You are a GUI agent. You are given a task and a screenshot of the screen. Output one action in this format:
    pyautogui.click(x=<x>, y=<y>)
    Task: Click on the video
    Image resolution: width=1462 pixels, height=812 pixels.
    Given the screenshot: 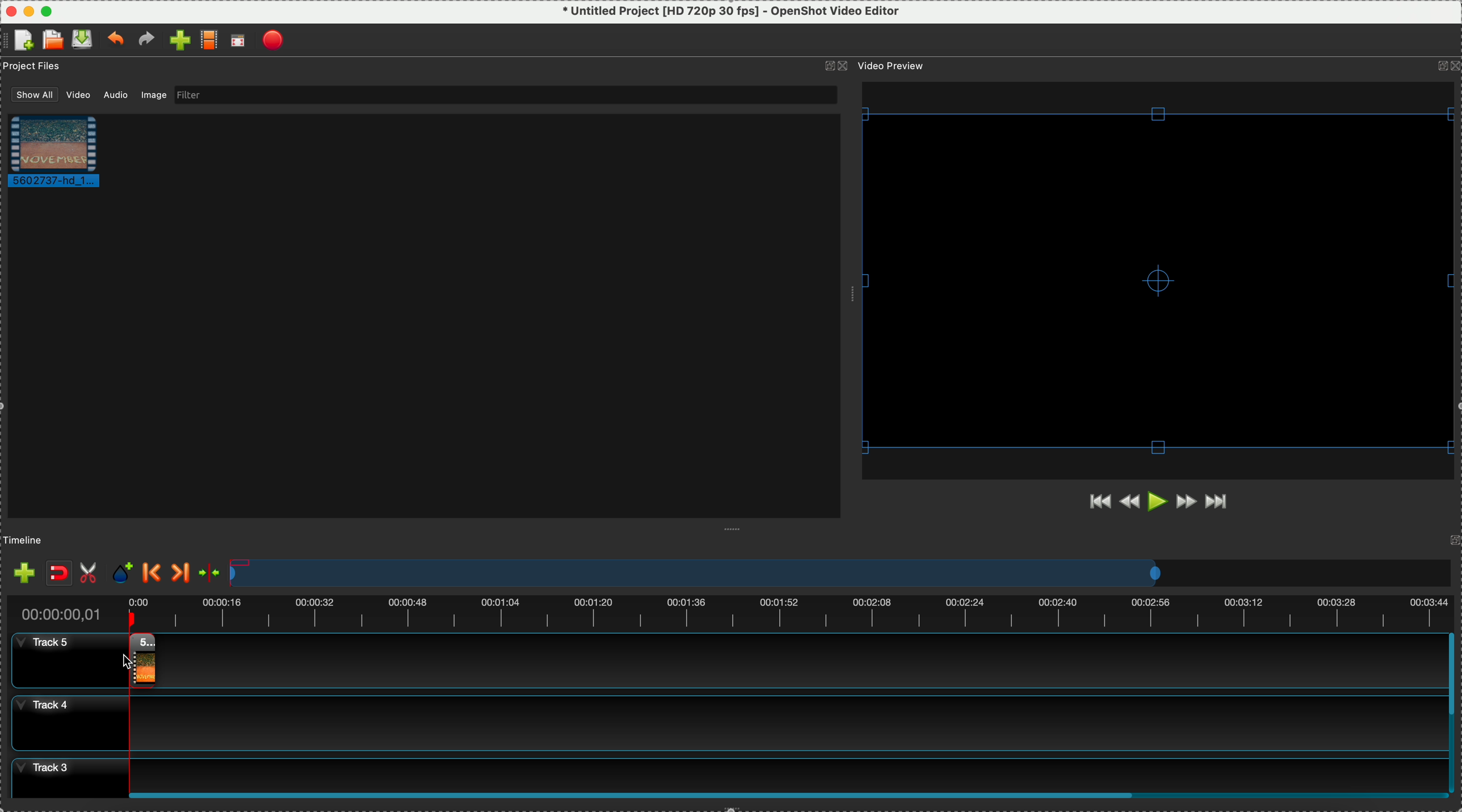 What is the action you would take?
    pyautogui.click(x=61, y=154)
    